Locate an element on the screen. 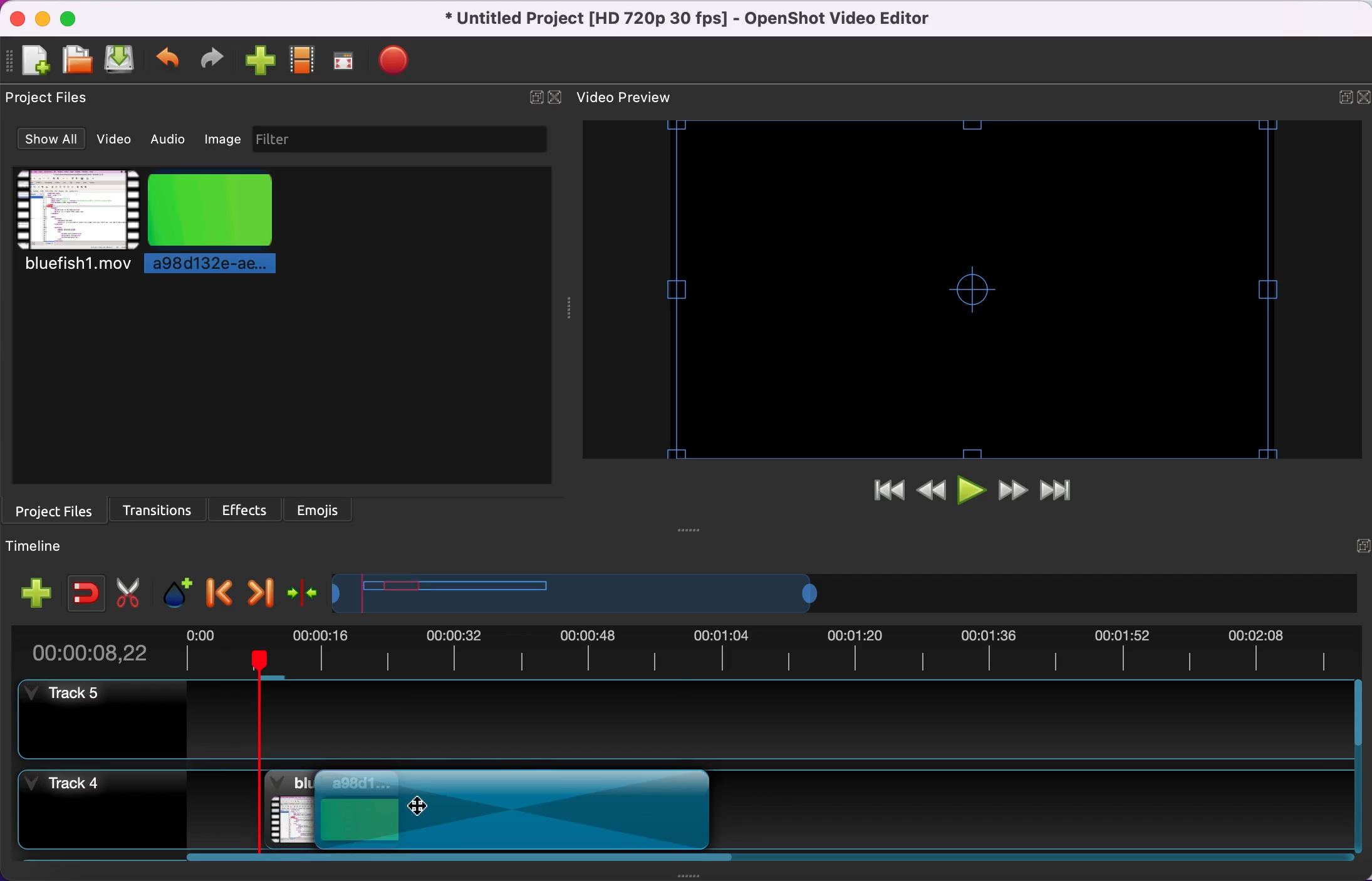 Image resolution: width=1372 pixels, height=881 pixels. cut is located at coordinates (130, 590).